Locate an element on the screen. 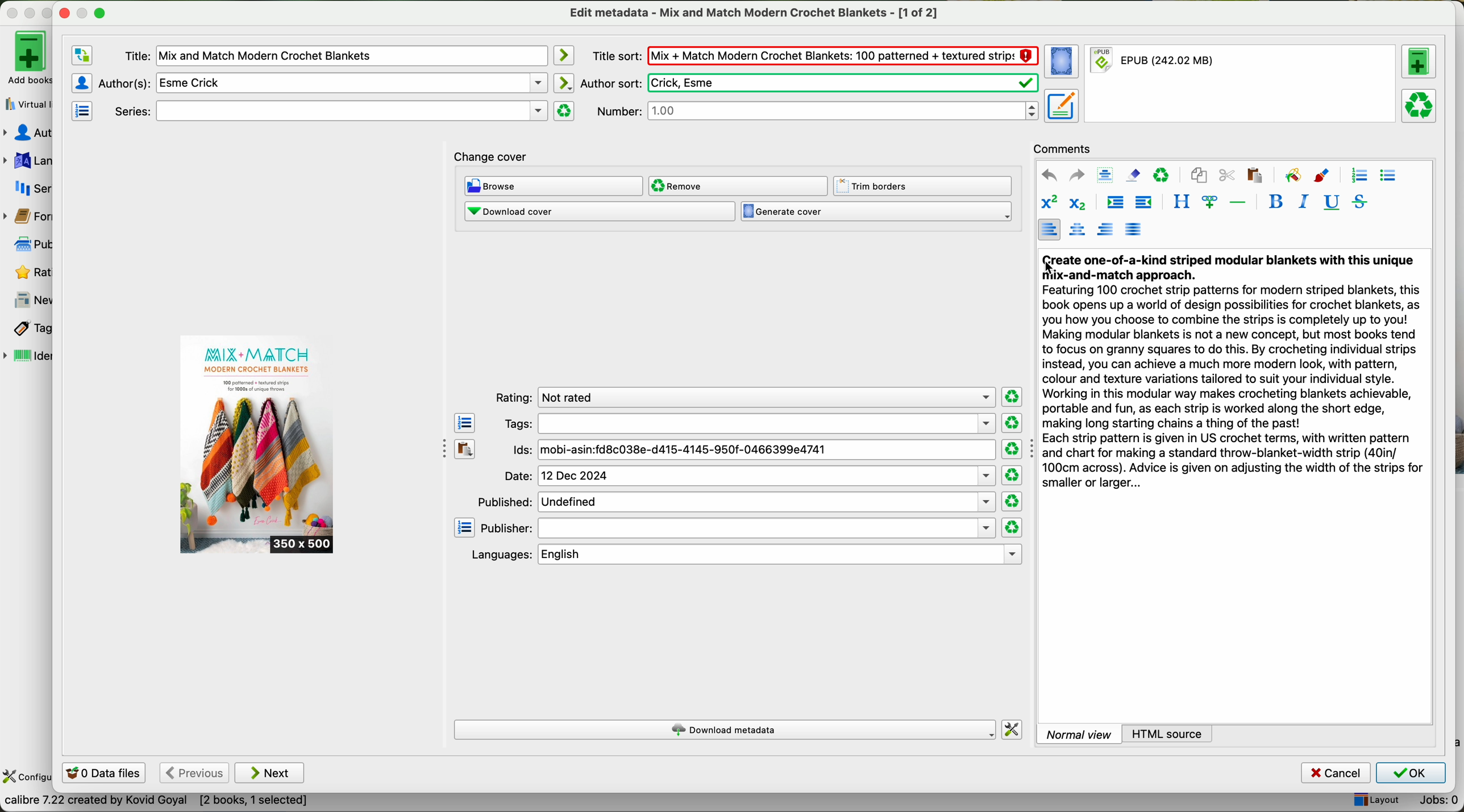 The height and width of the screenshot is (812, 1464). change cover is located at coordinates (491, 158).